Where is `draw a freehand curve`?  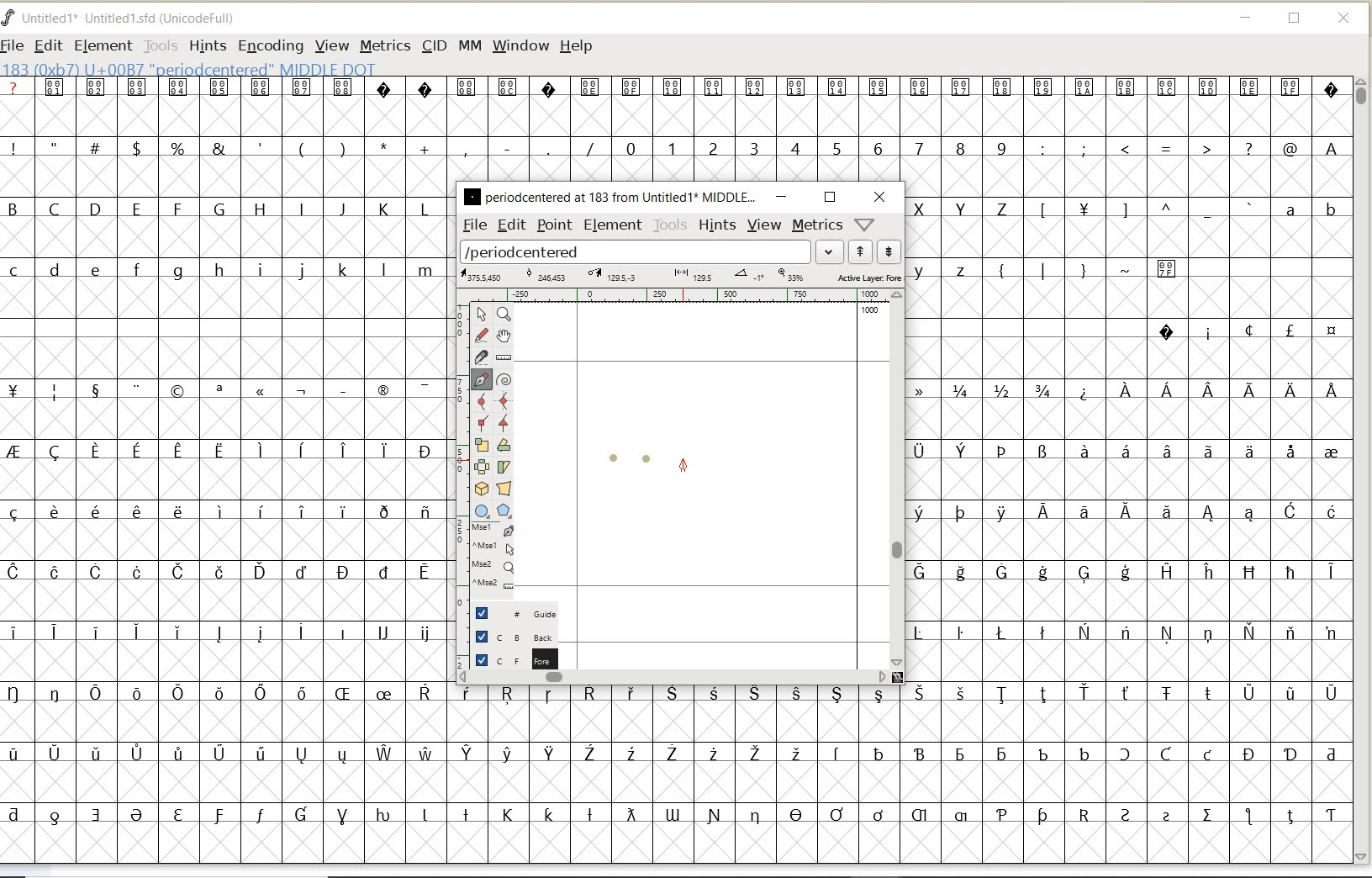 draw a freehand curve is located at coordinates (481, 333).